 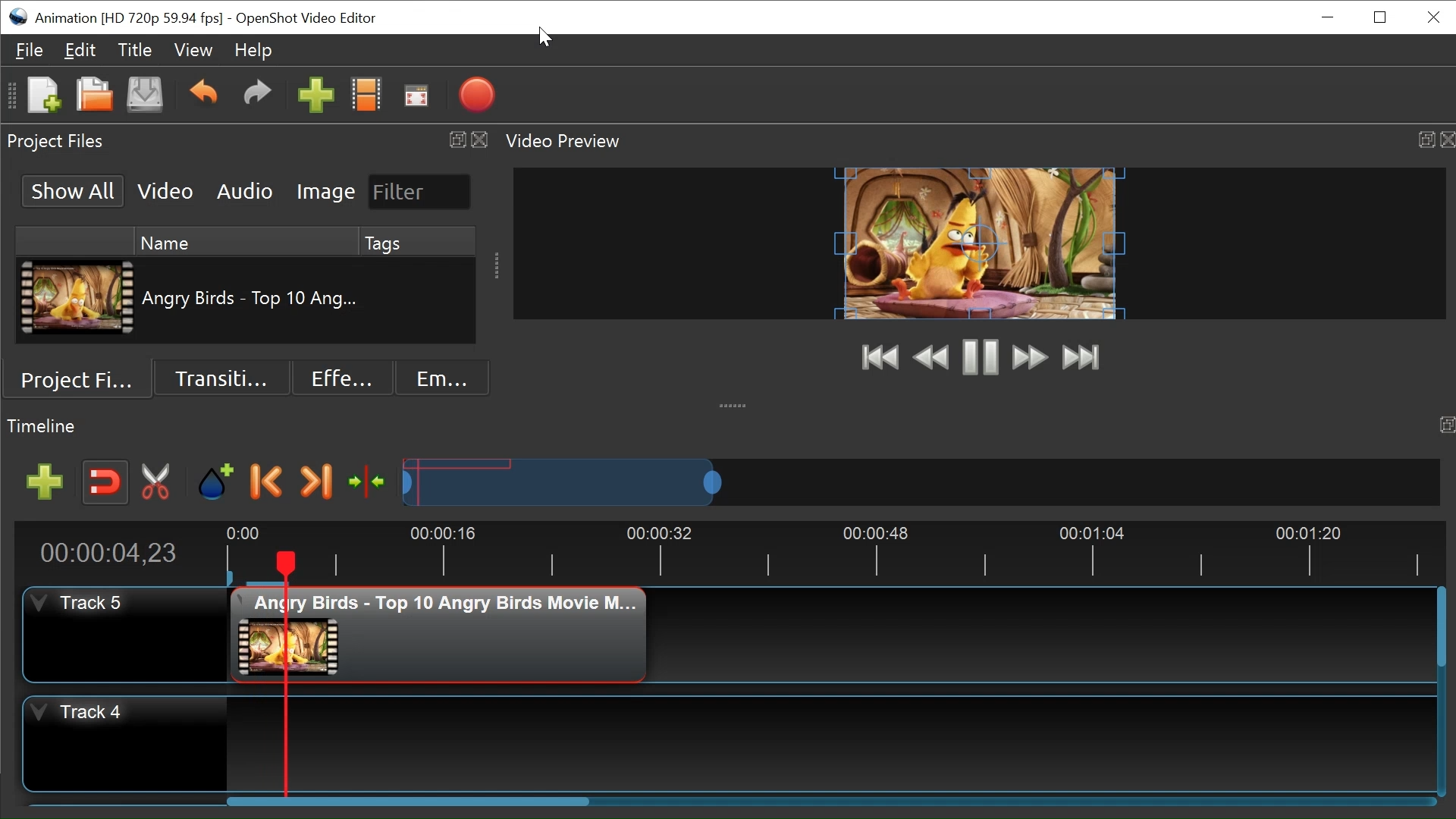 What do you see at coordinates (306, 19) in the screenshot?
I see `OpenShot Video Editor` at bounding box center [306, 19].